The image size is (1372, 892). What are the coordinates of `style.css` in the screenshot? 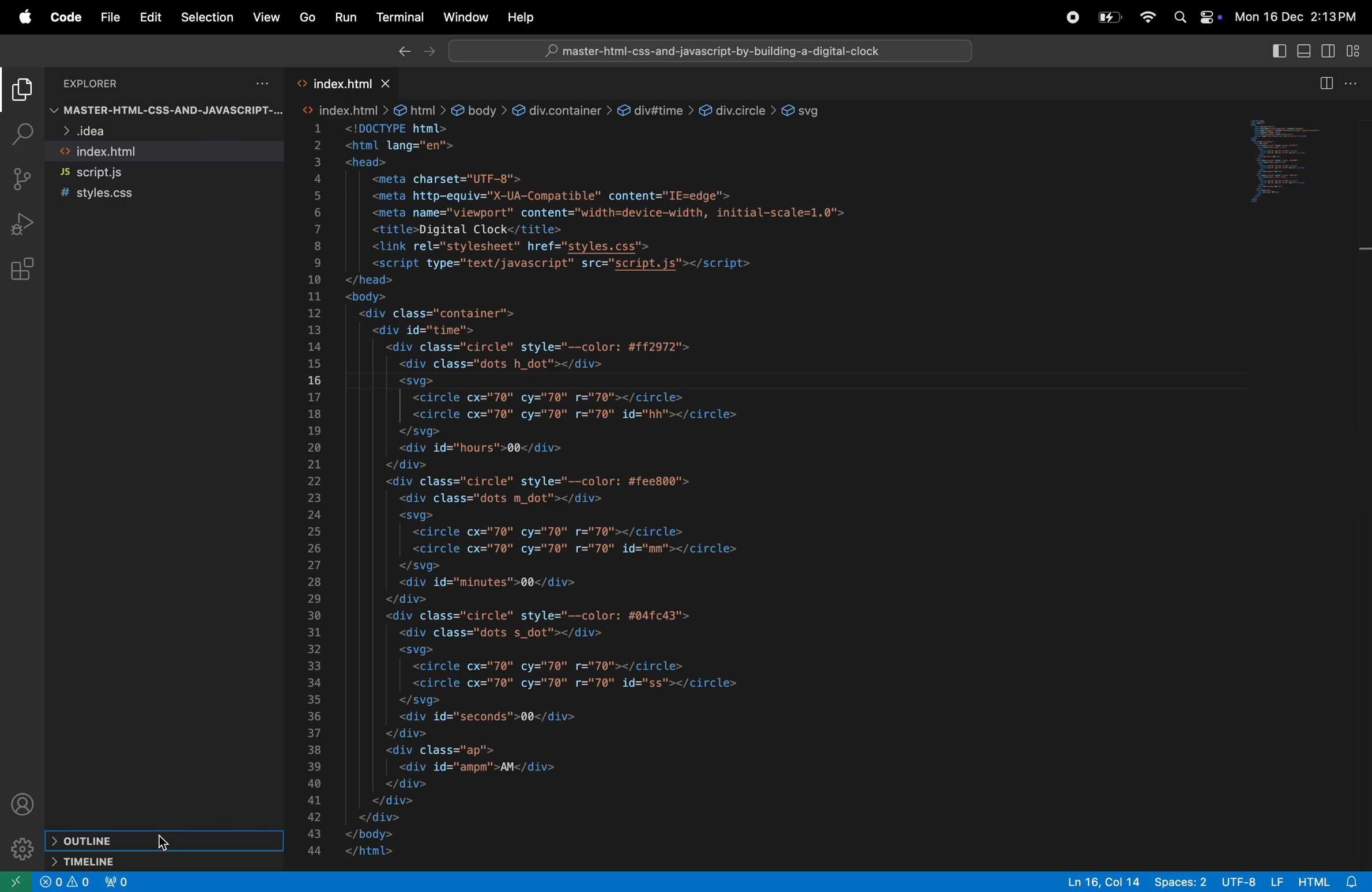 It's located at (153, 195).